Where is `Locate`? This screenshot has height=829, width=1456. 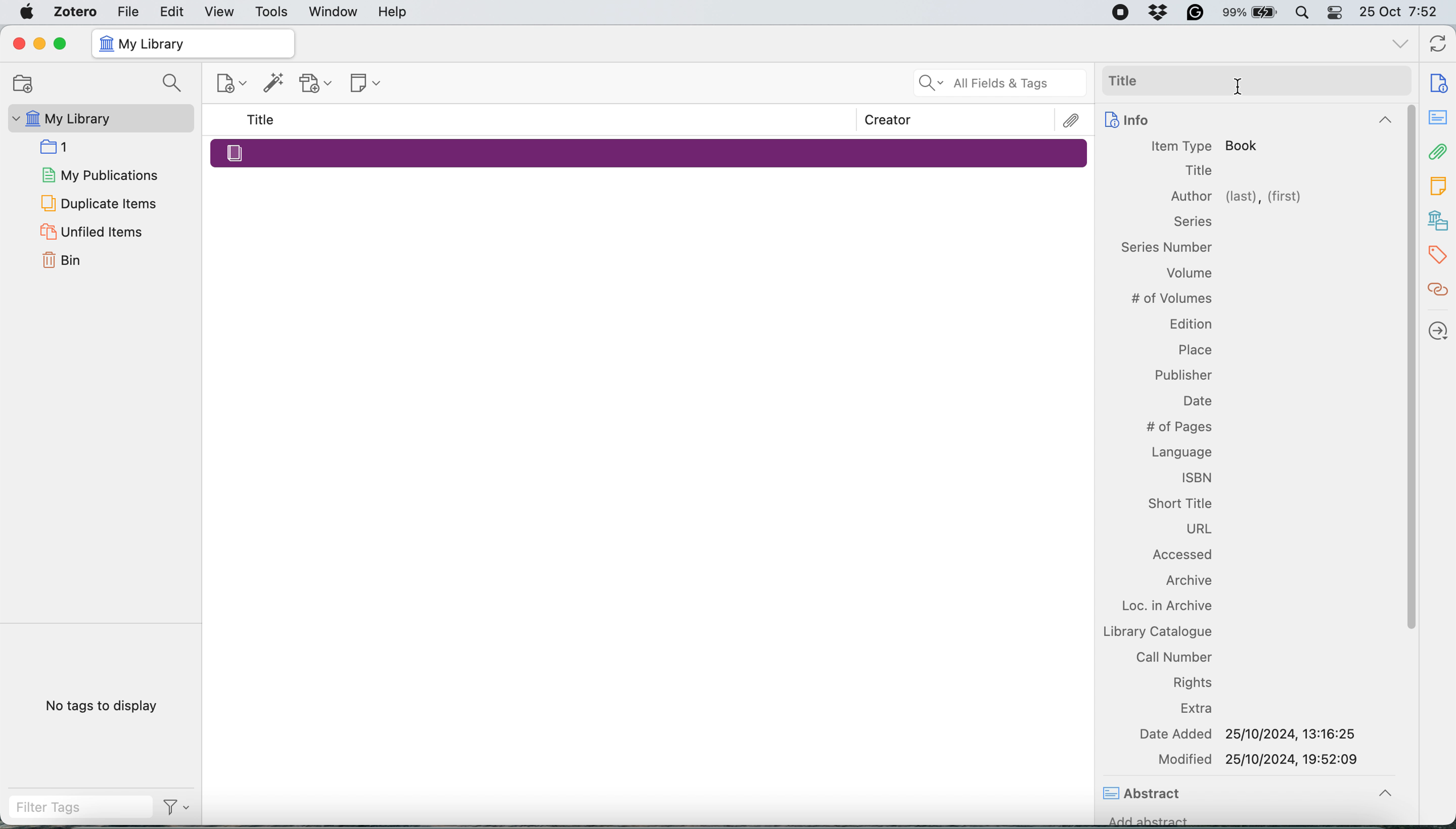
Locate is located at coordinates (1439, 331).